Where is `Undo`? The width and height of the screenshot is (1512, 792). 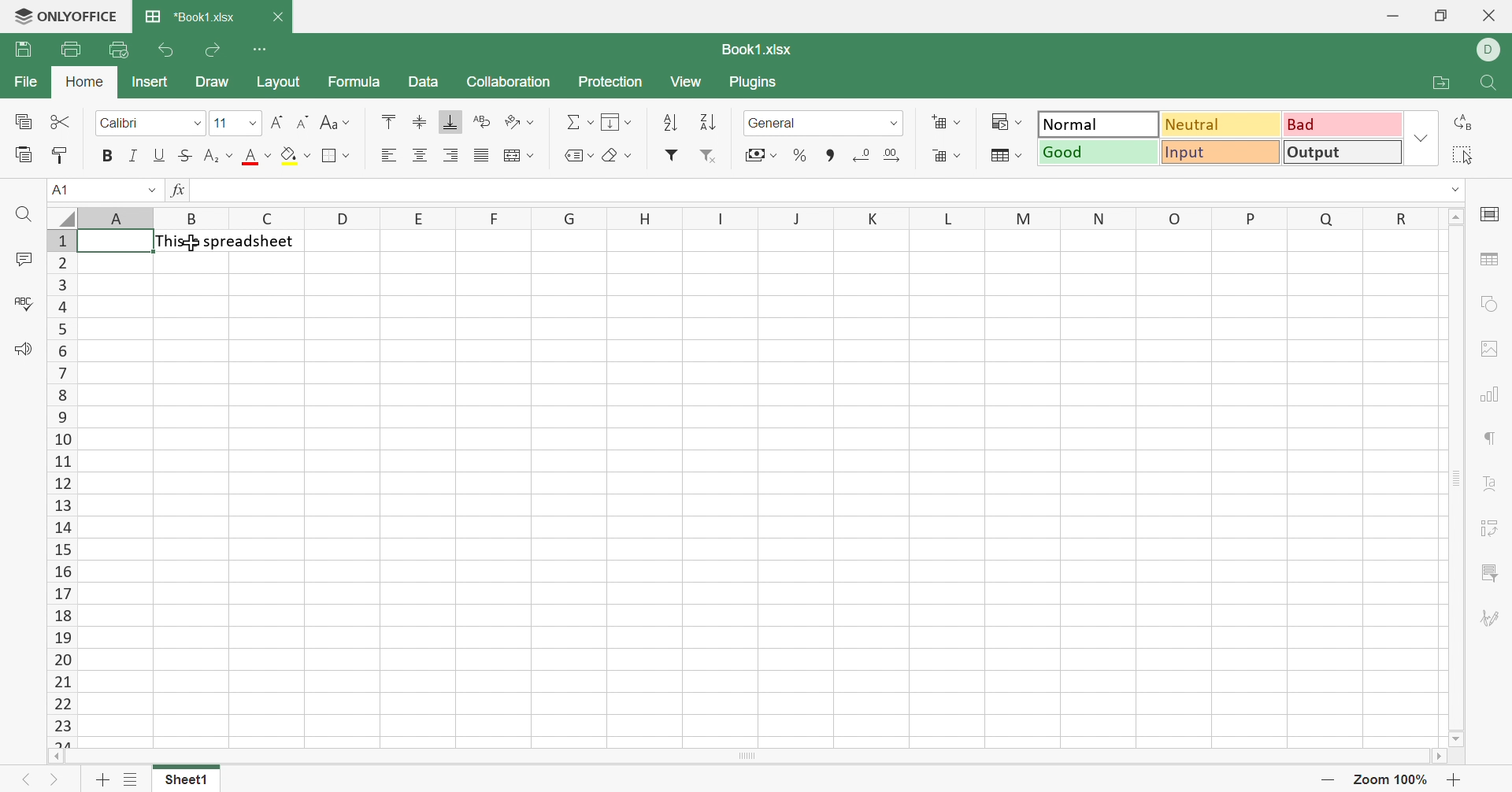
Undo is located at coordinates (168, 50).